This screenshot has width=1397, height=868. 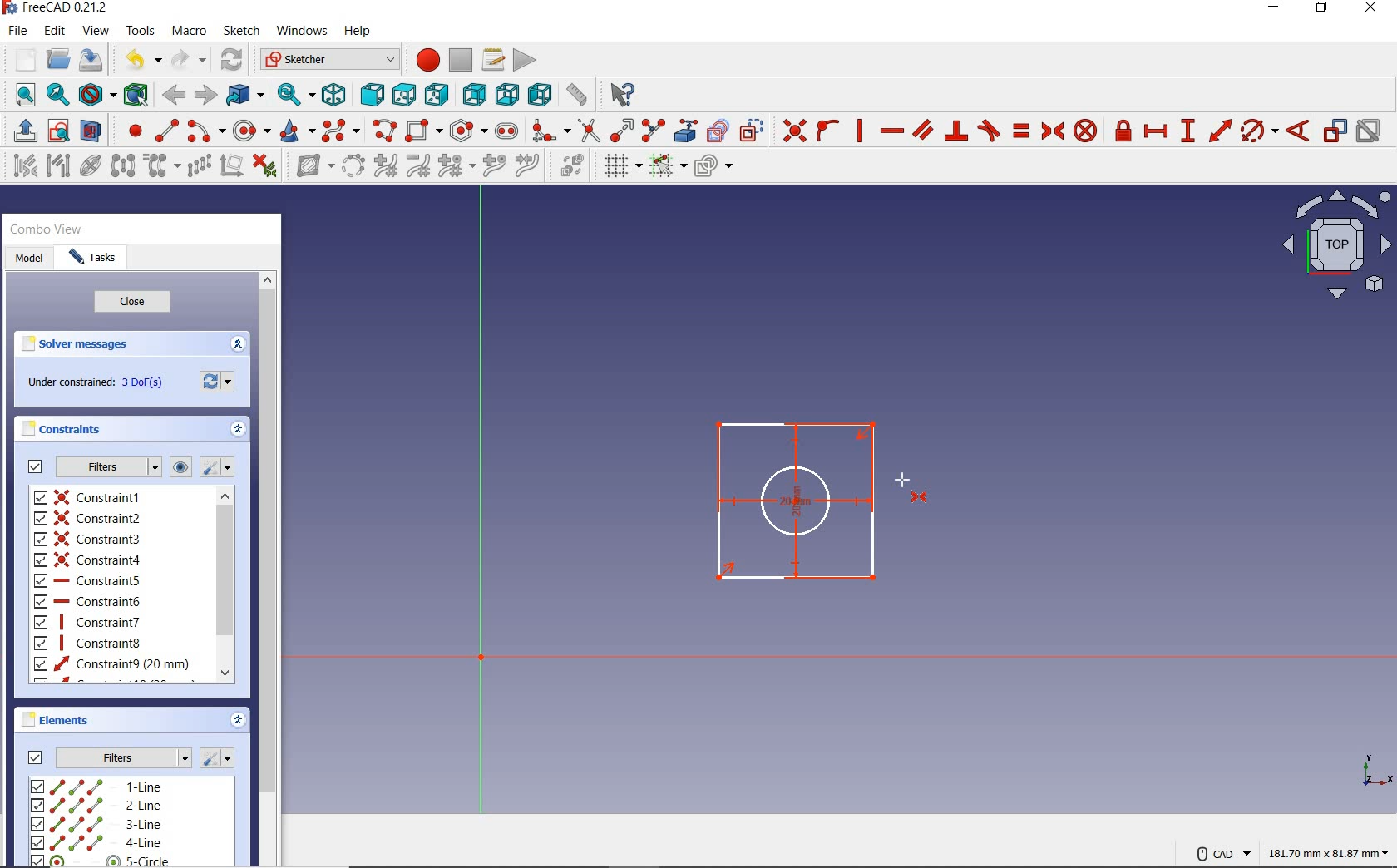 I want to click on right, so click(x=437, y=94).